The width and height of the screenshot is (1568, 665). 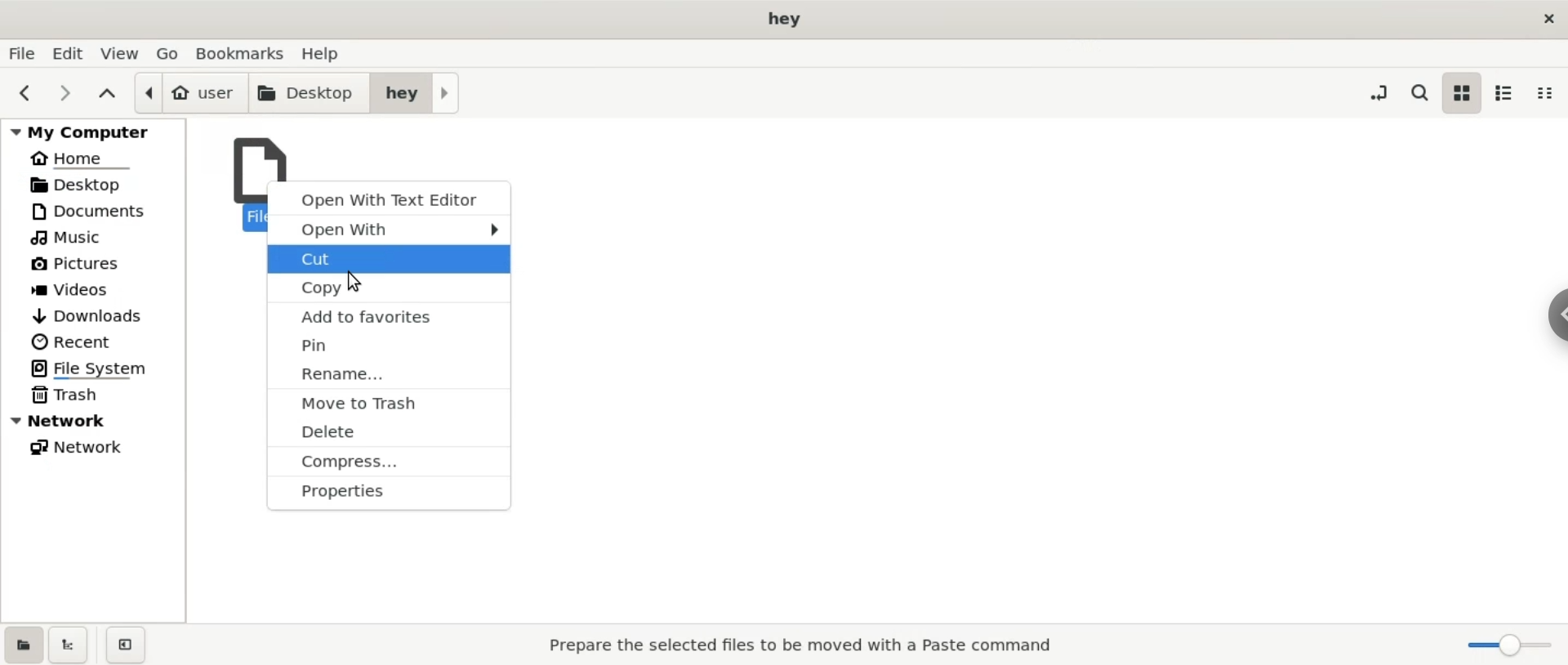 I want to click on downloads, so click(x=96, y=312).